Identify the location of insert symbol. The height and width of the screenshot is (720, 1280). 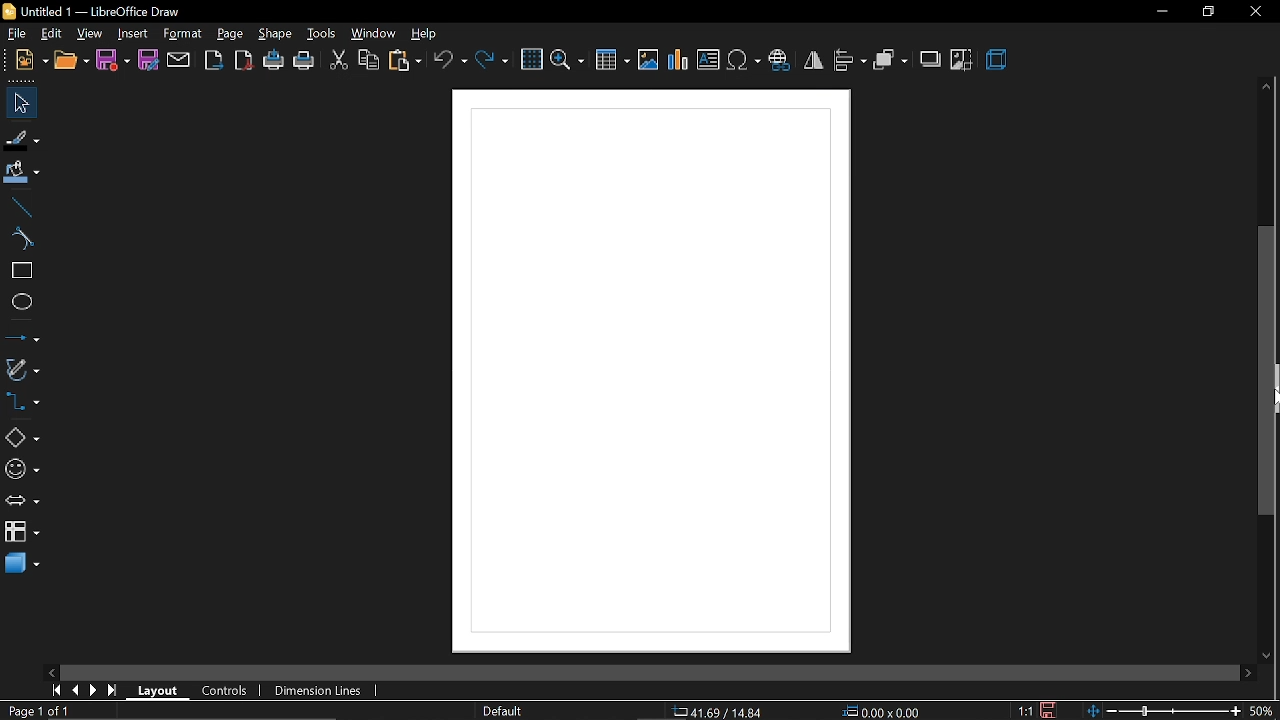
(744, 61).